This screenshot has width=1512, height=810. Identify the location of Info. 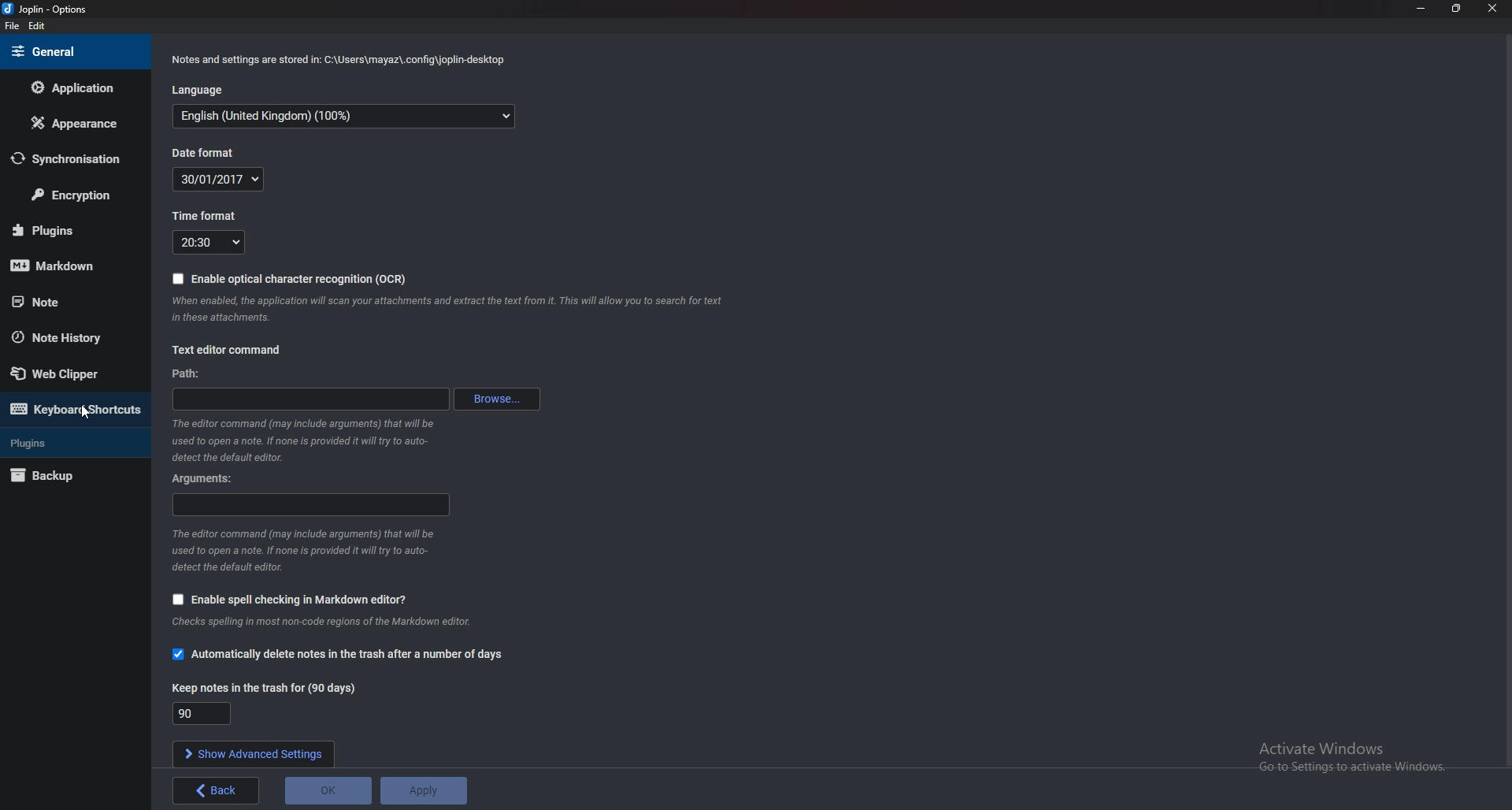
(334, 621).